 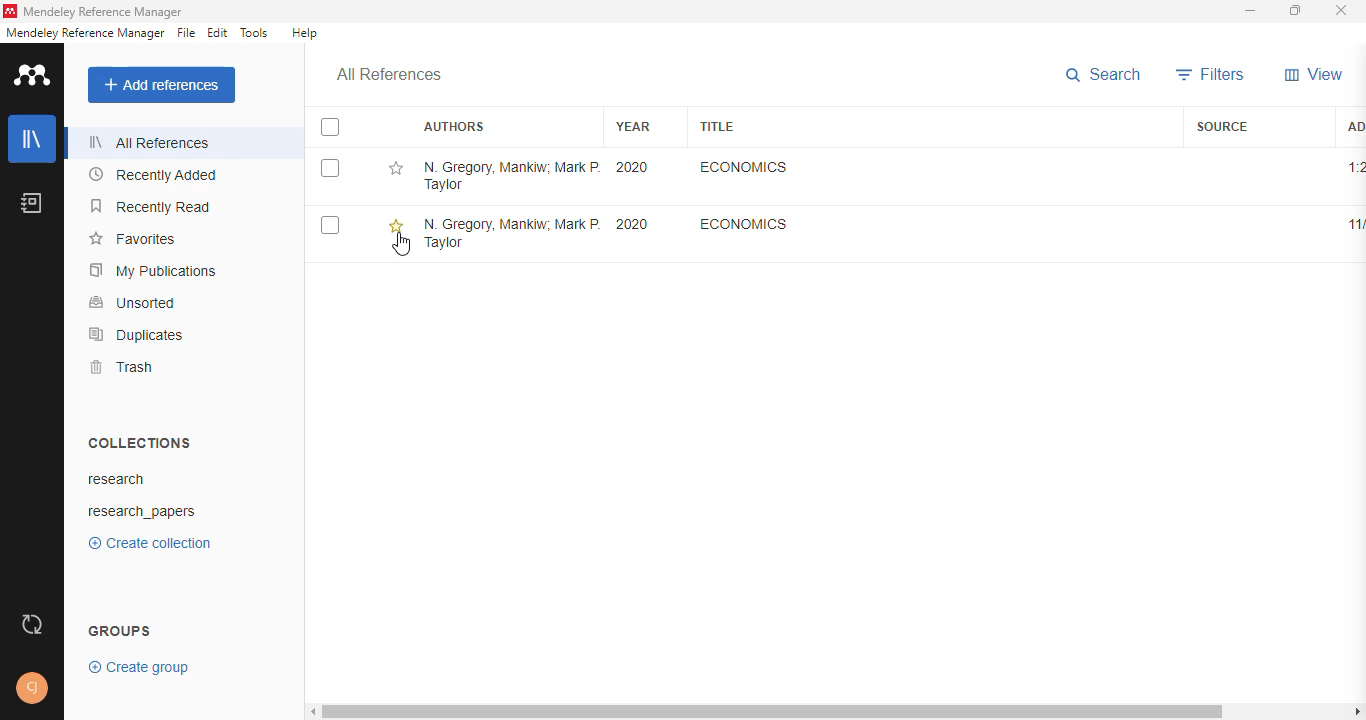 What do you see at coordinates (34, 623) in the screenshot?
I see `sync` at bounding box center [34, 623].